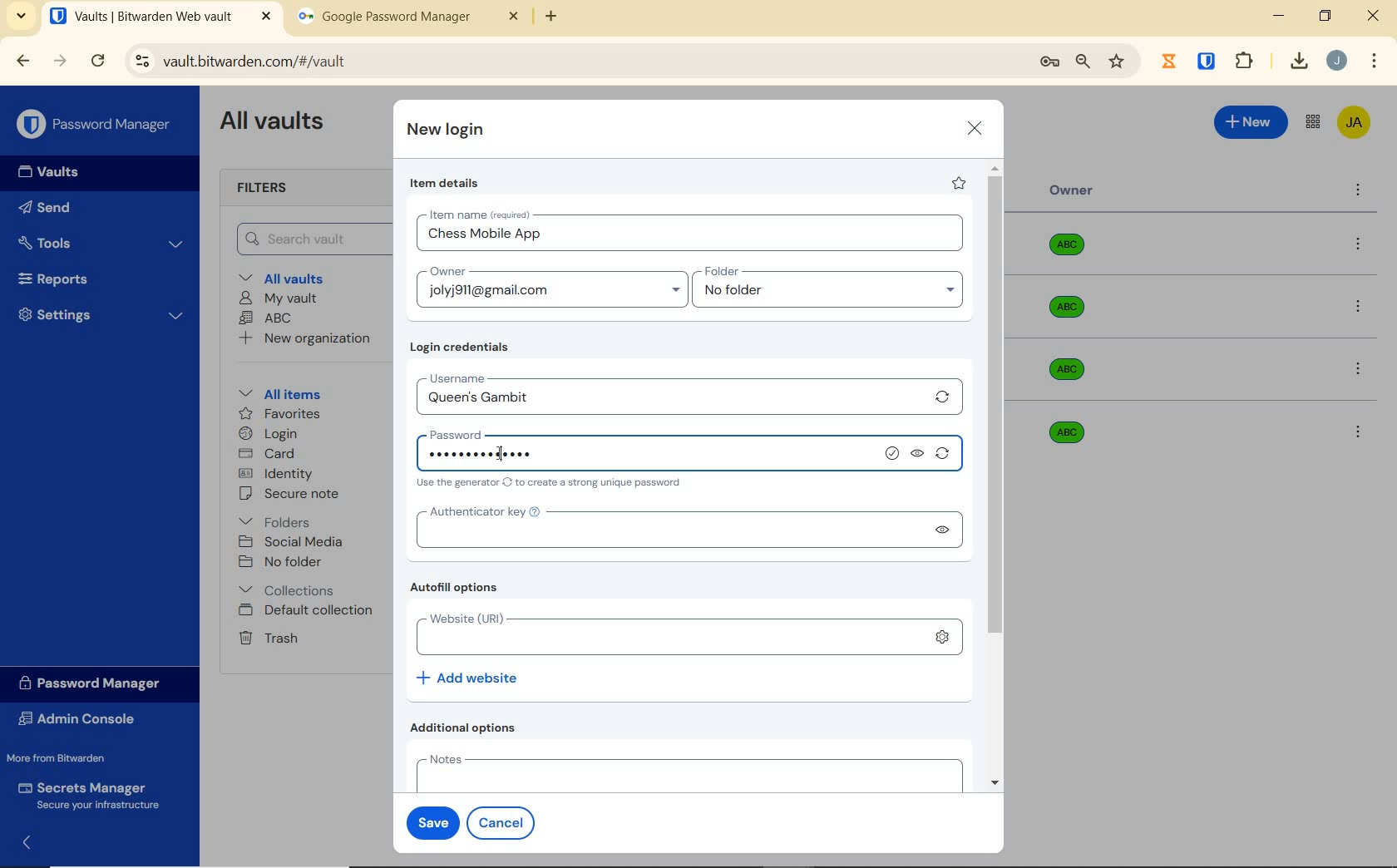 The width and height of the screenshot is (1397, 868). Describe the element at coordinates (670, 398) in the screenshot. I see `username added` at that location.